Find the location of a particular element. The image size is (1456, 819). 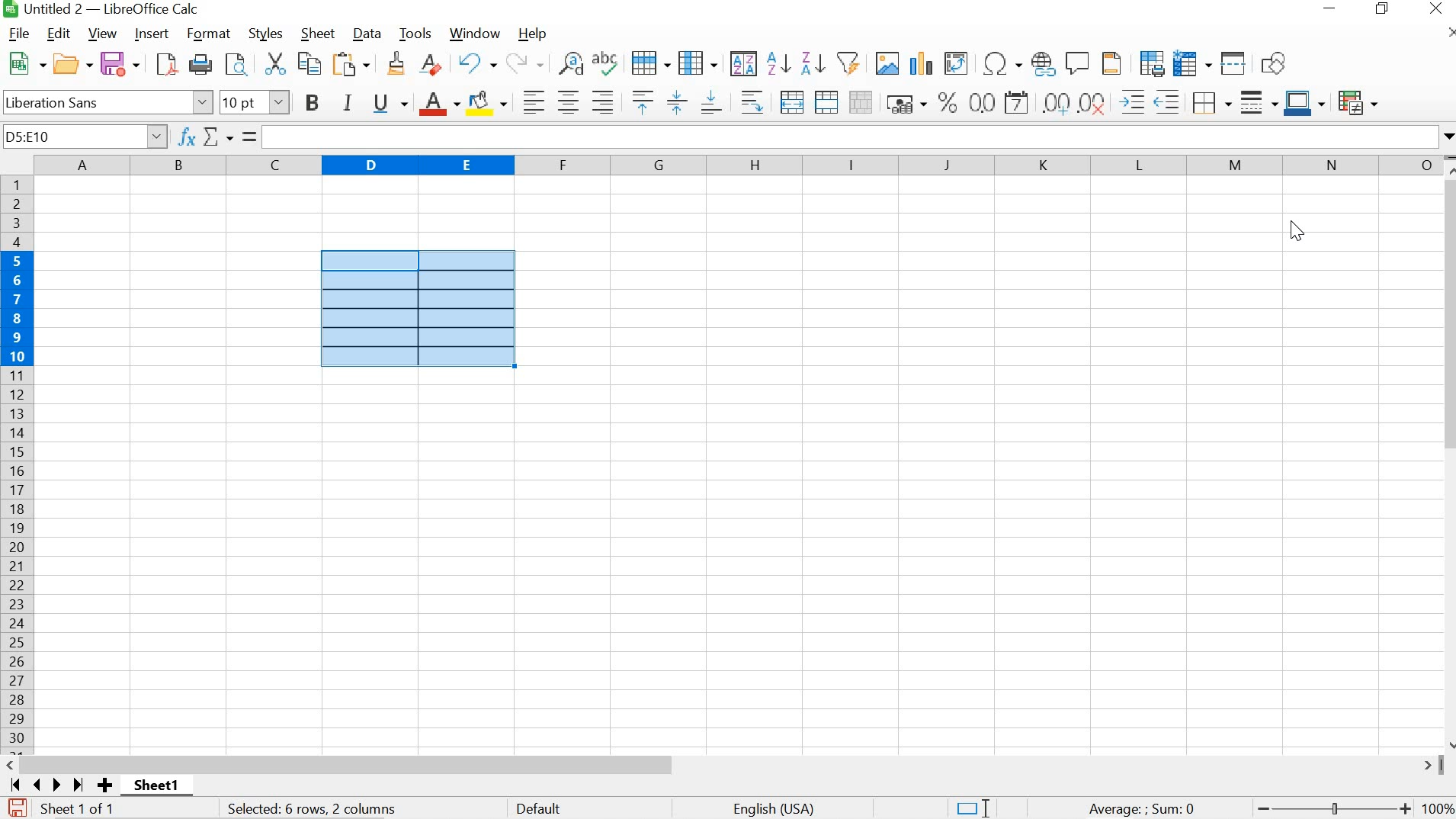

UNDO is located at coordinates (476, 63).